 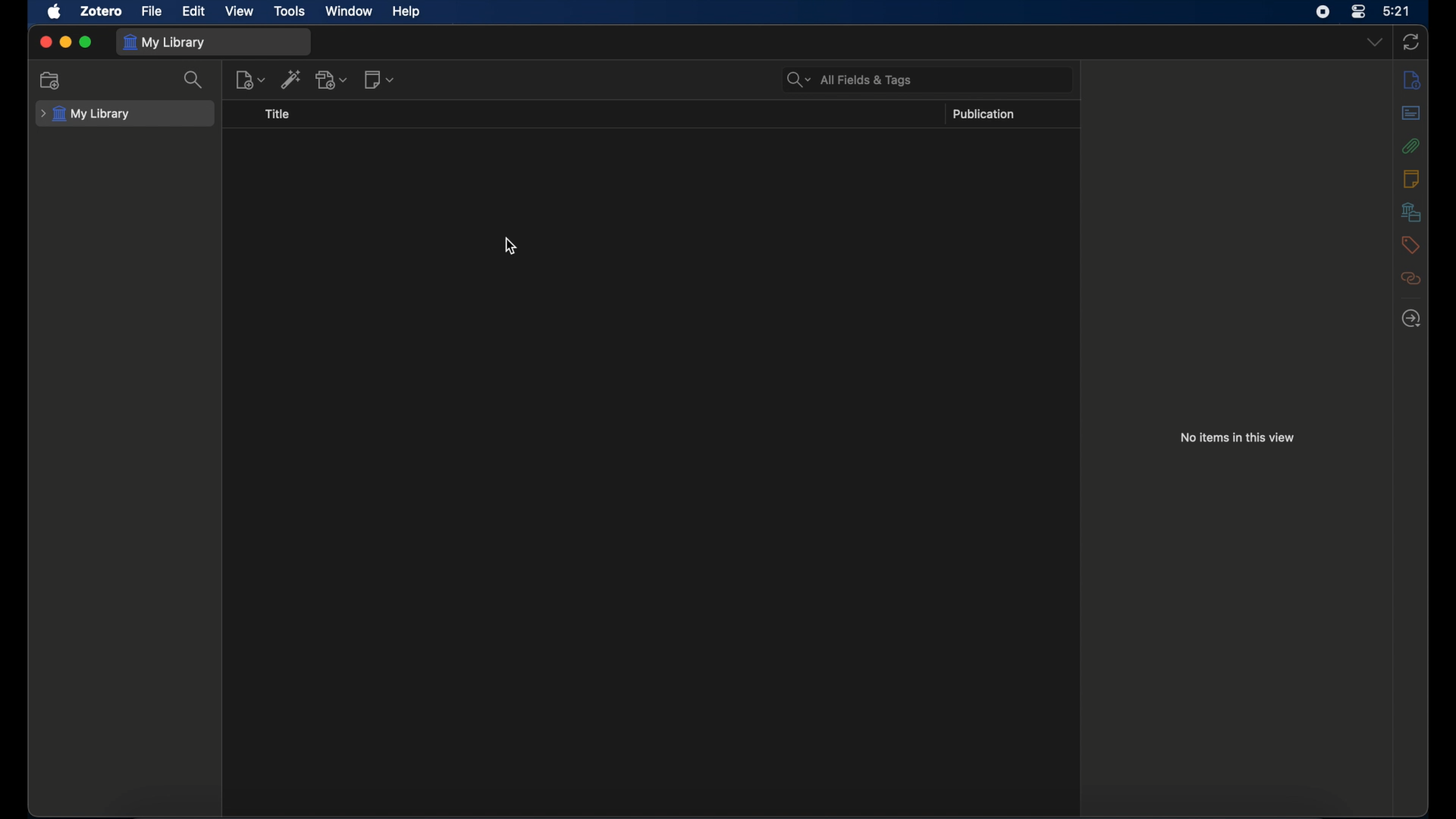 I want to click on window, so click(x=349, y=11).